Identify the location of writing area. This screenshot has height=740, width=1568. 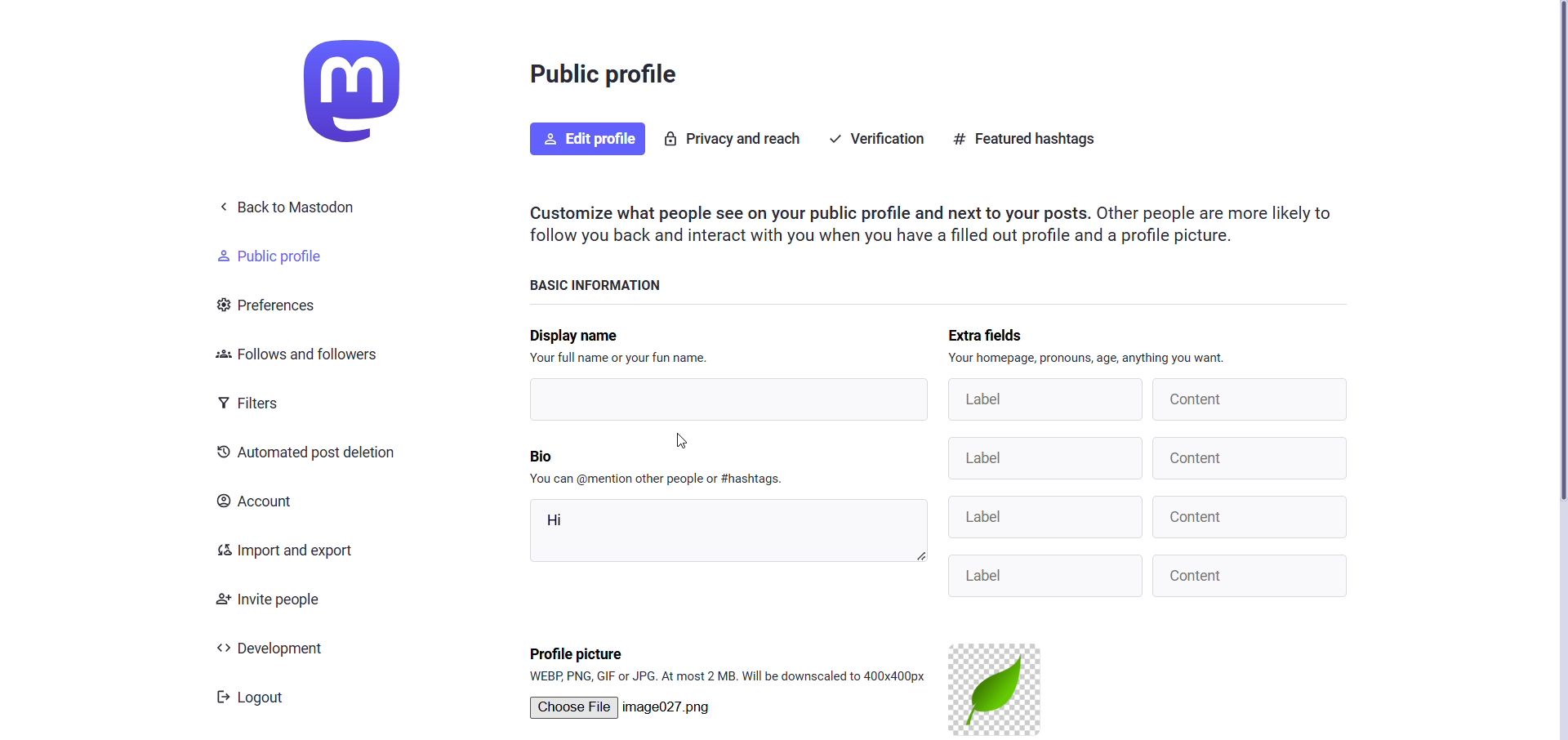
(731, 400).